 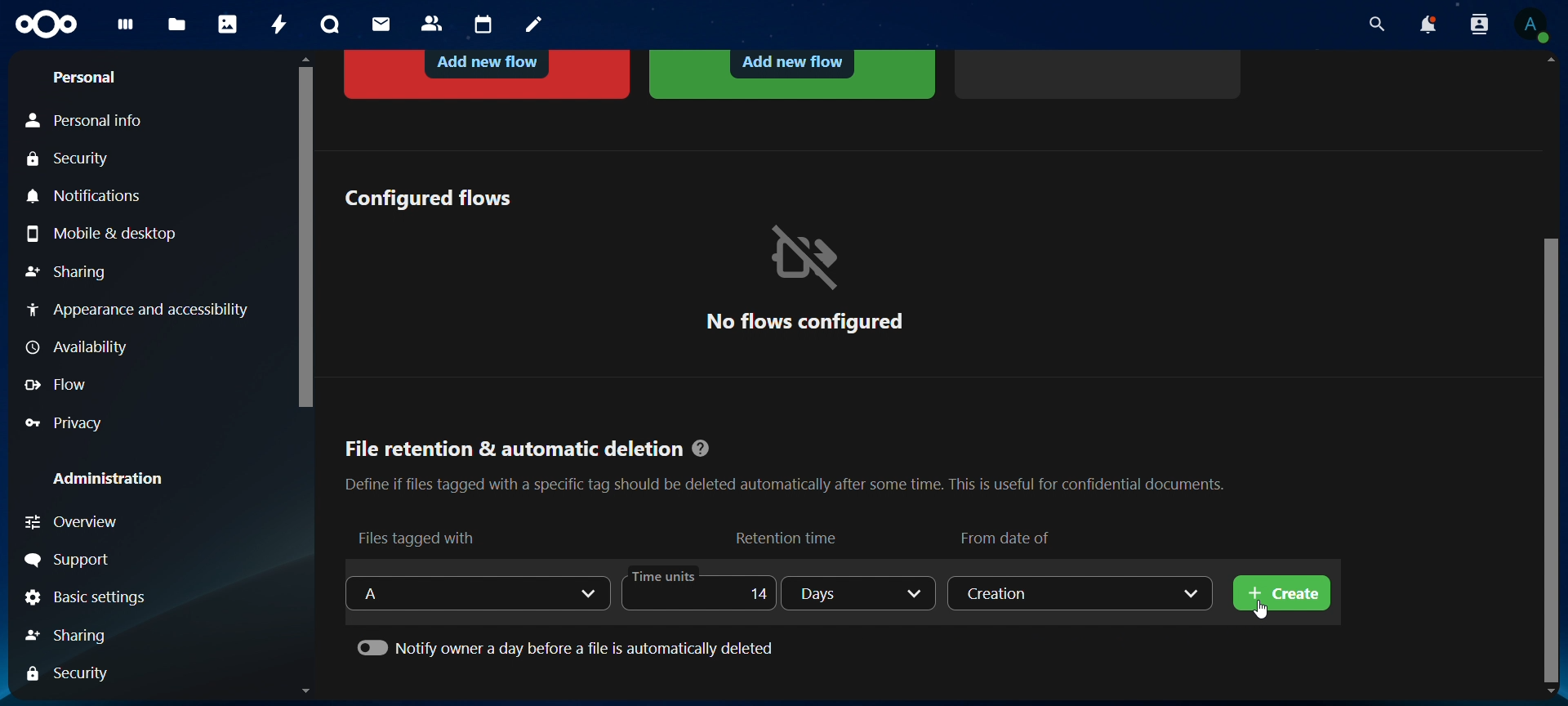 What do you see at coordinates (1009, 535) in the screenshot?
I see `from date of` at bounding box center [1009, 535].